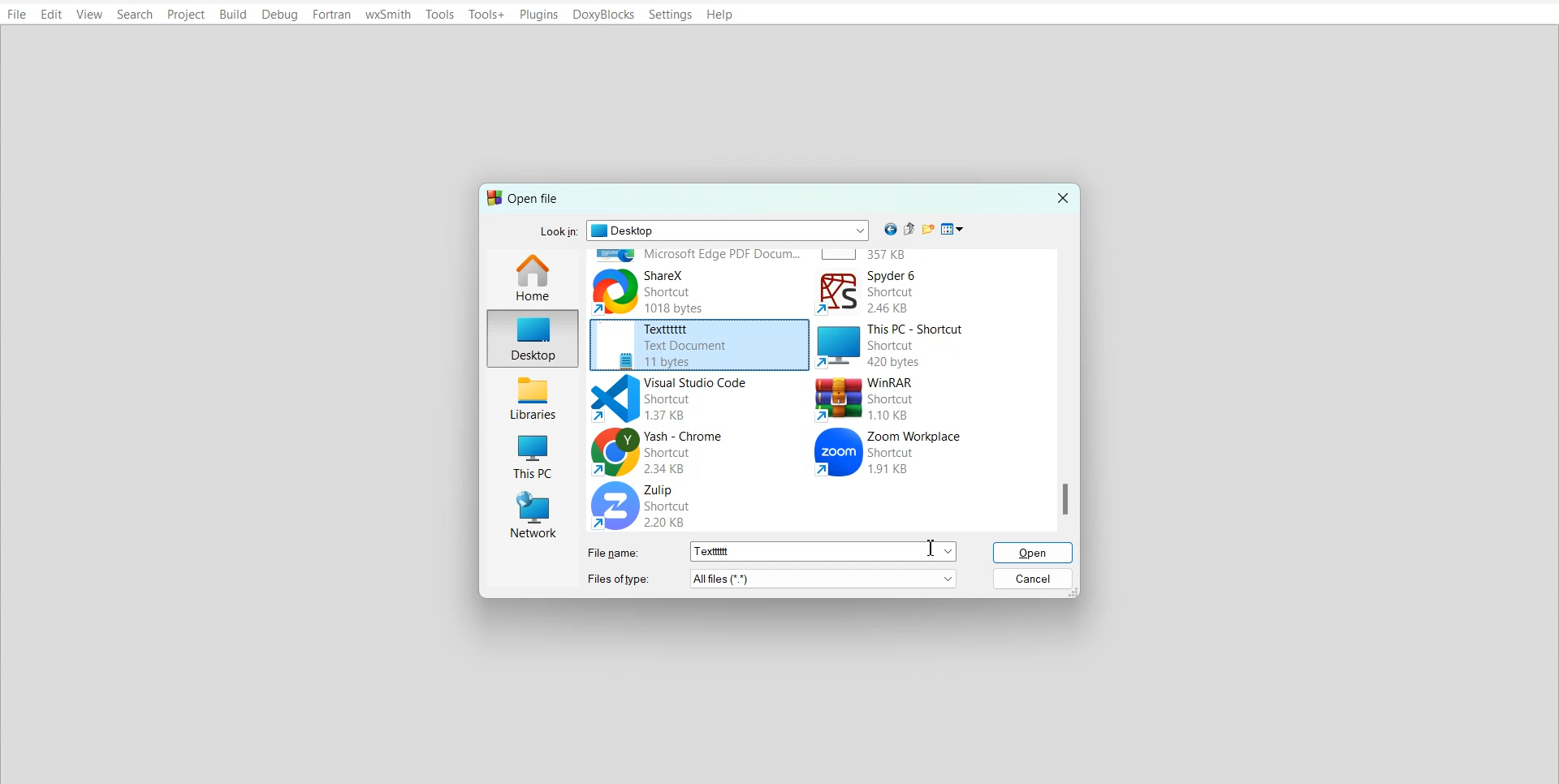 The image size is (1559, 784). I want to click on This PC, so click(899, 344).